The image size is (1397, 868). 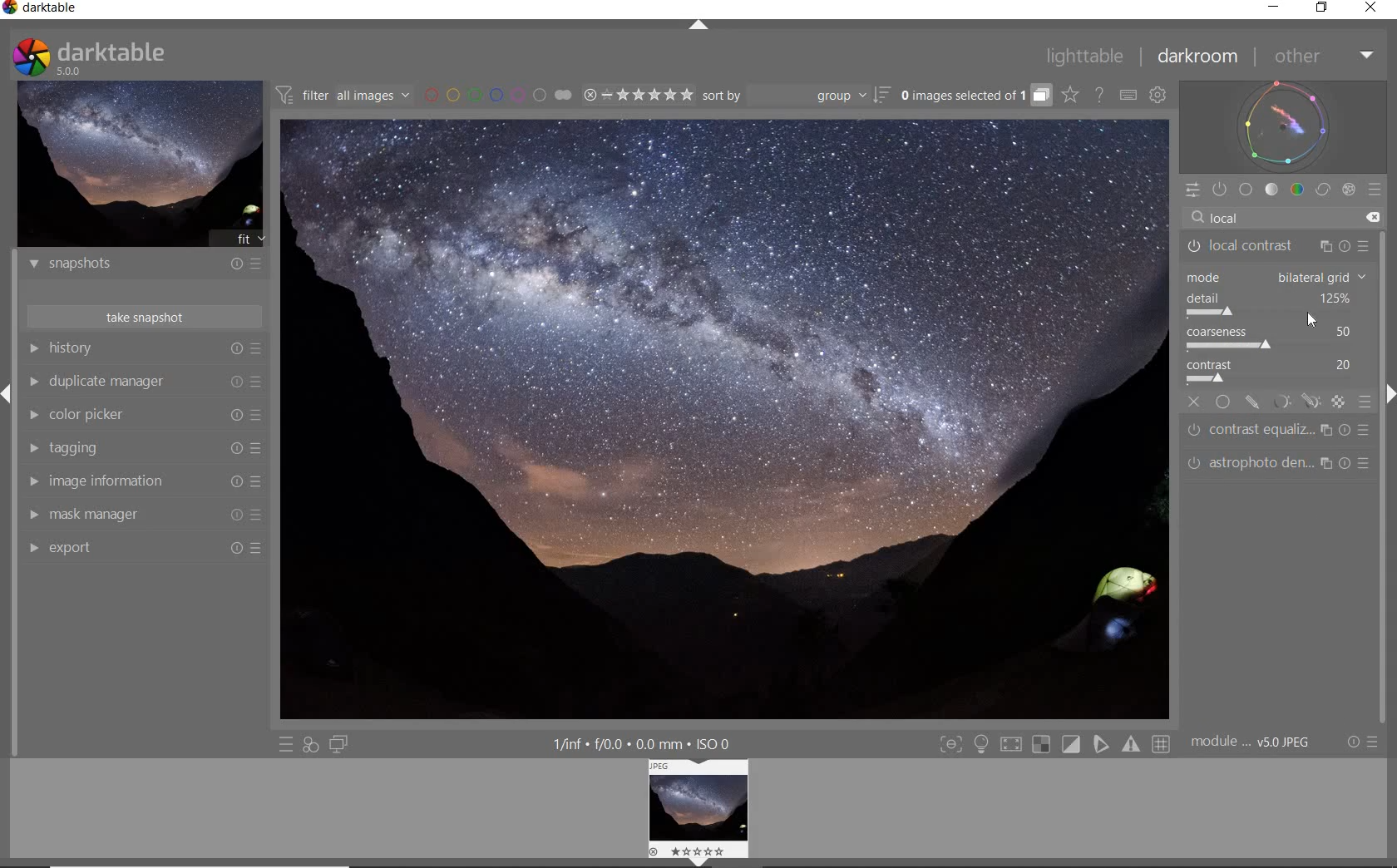 I want to click on CLICK TO CHANGE THE OVERLAYS SHOWN ON THUMBNAILS, so click(x=1071, y=96).